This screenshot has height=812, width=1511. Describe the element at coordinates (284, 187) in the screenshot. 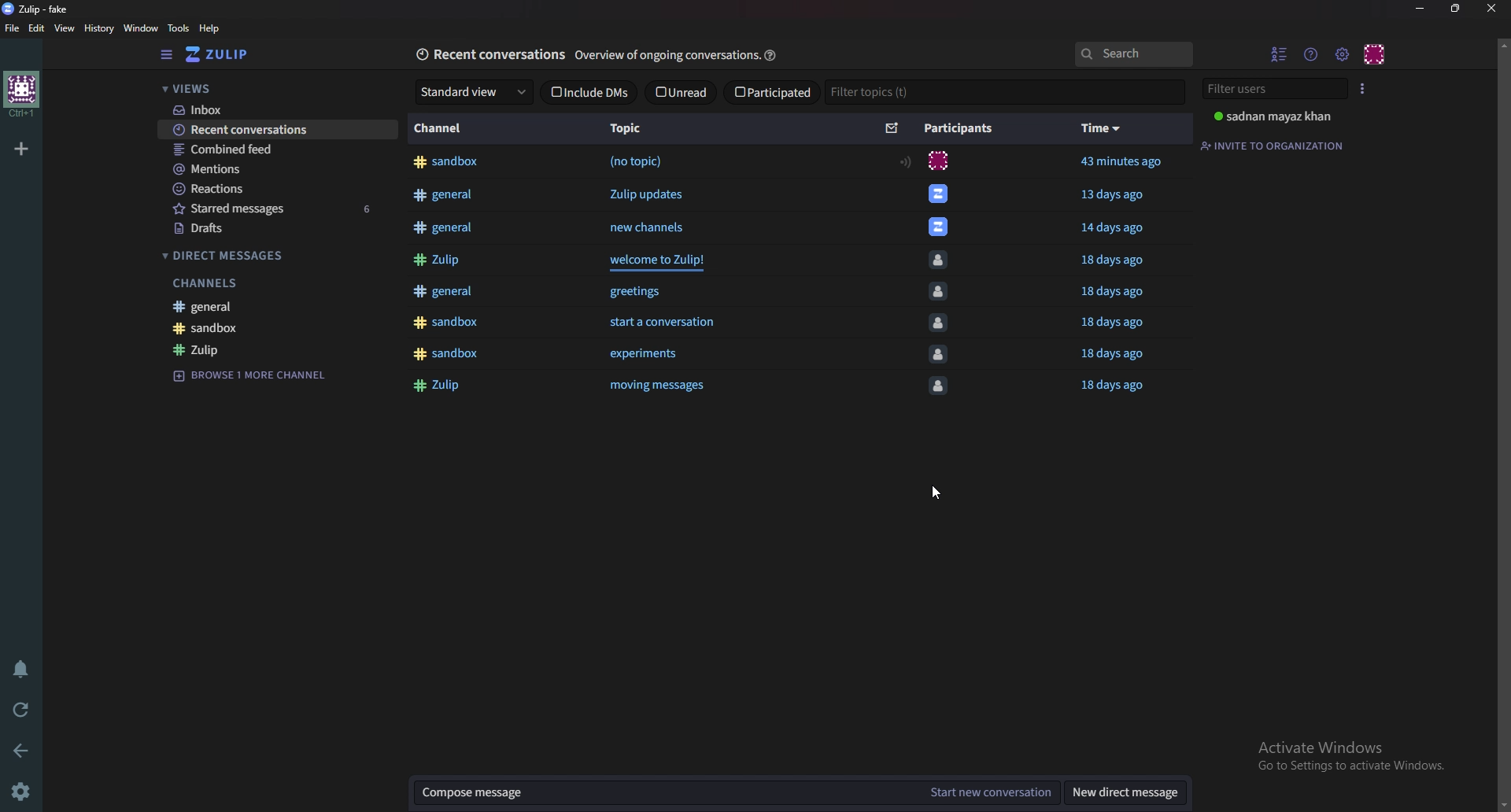

I see `Reactions` at that location.